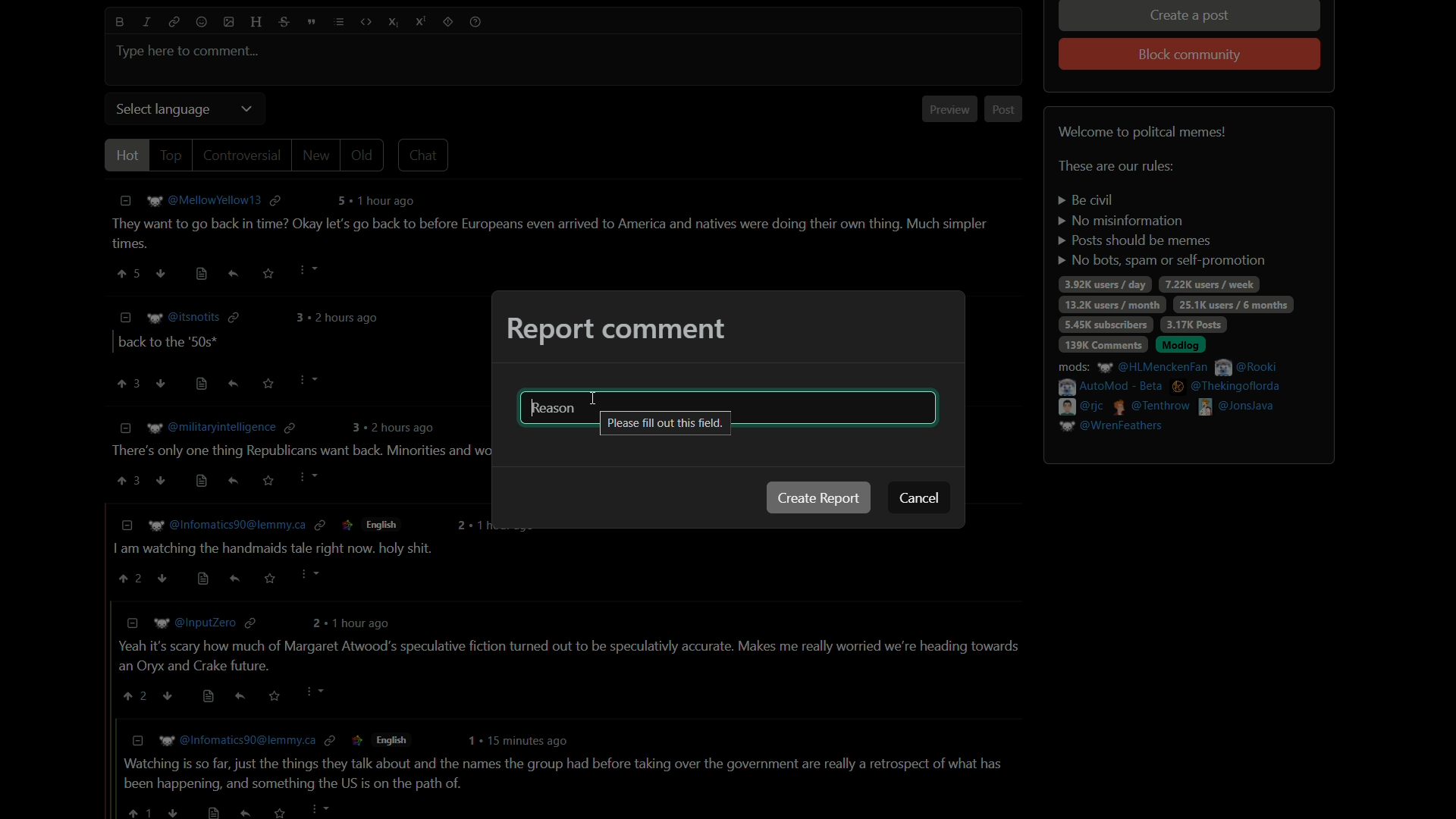  I want to click on view source, so click(199, 384).